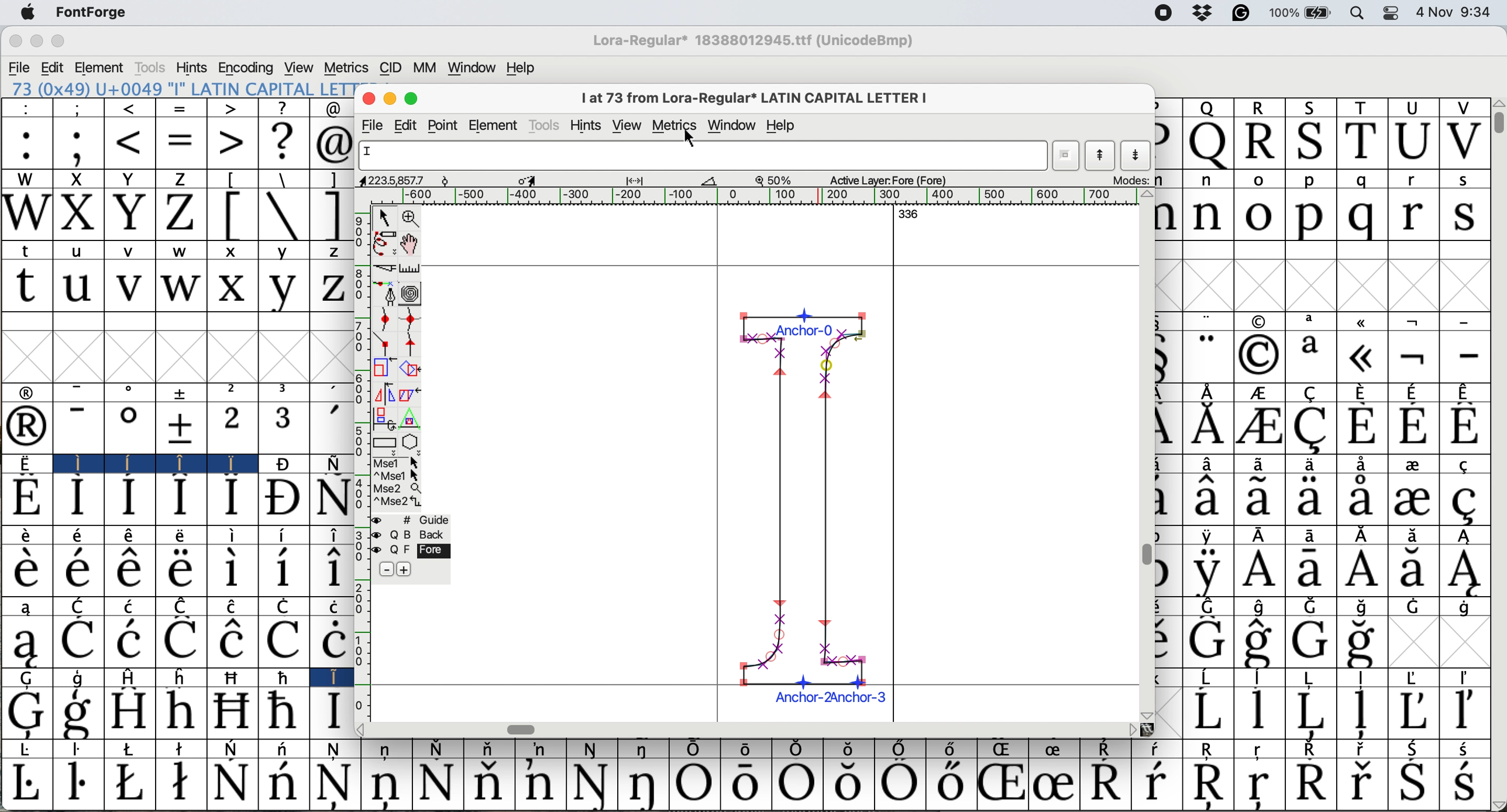 This screenshot has width=1507, height=812. What do you see at coordinates (78, 146) in the screenshot?
I see `;` at bounding box center [78, 146].